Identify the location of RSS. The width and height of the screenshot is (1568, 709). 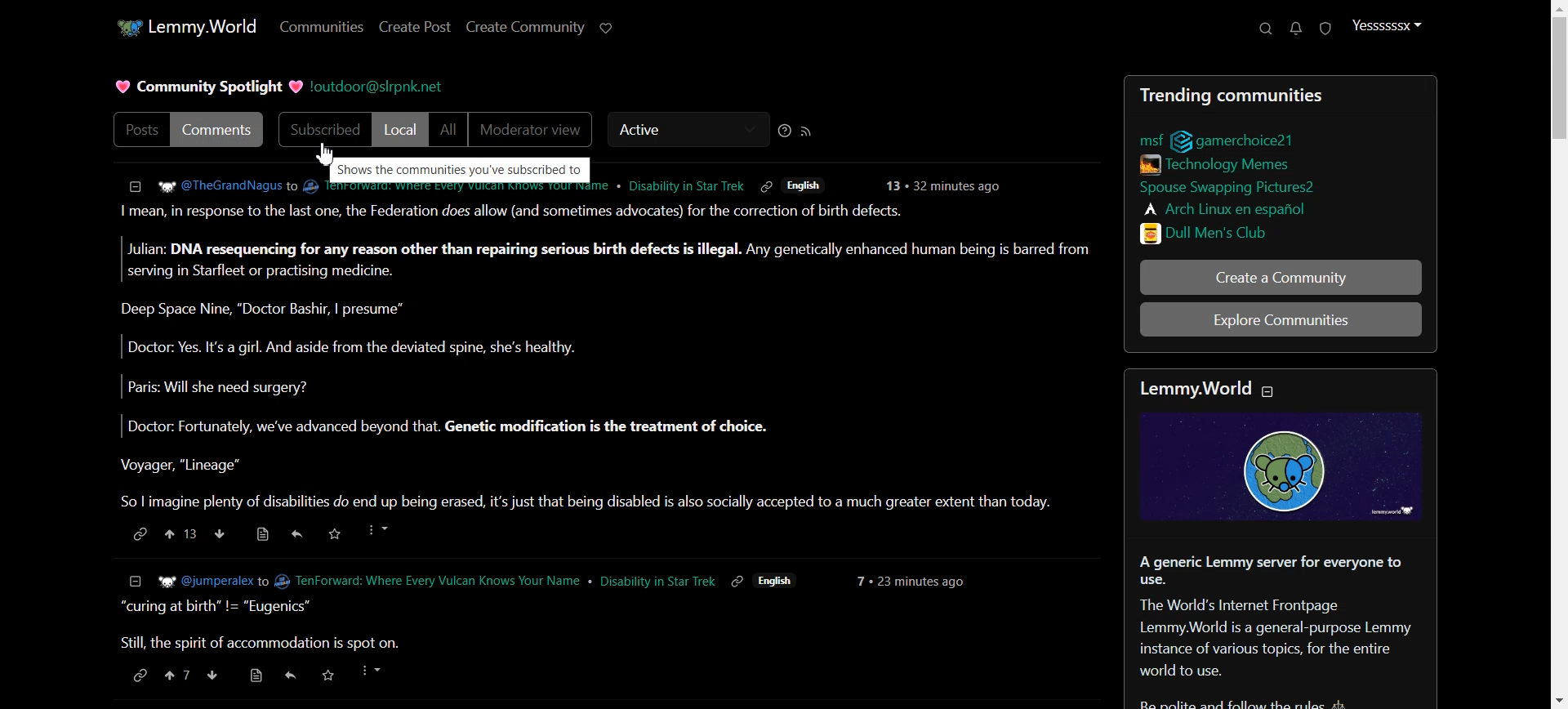
(807, 131).